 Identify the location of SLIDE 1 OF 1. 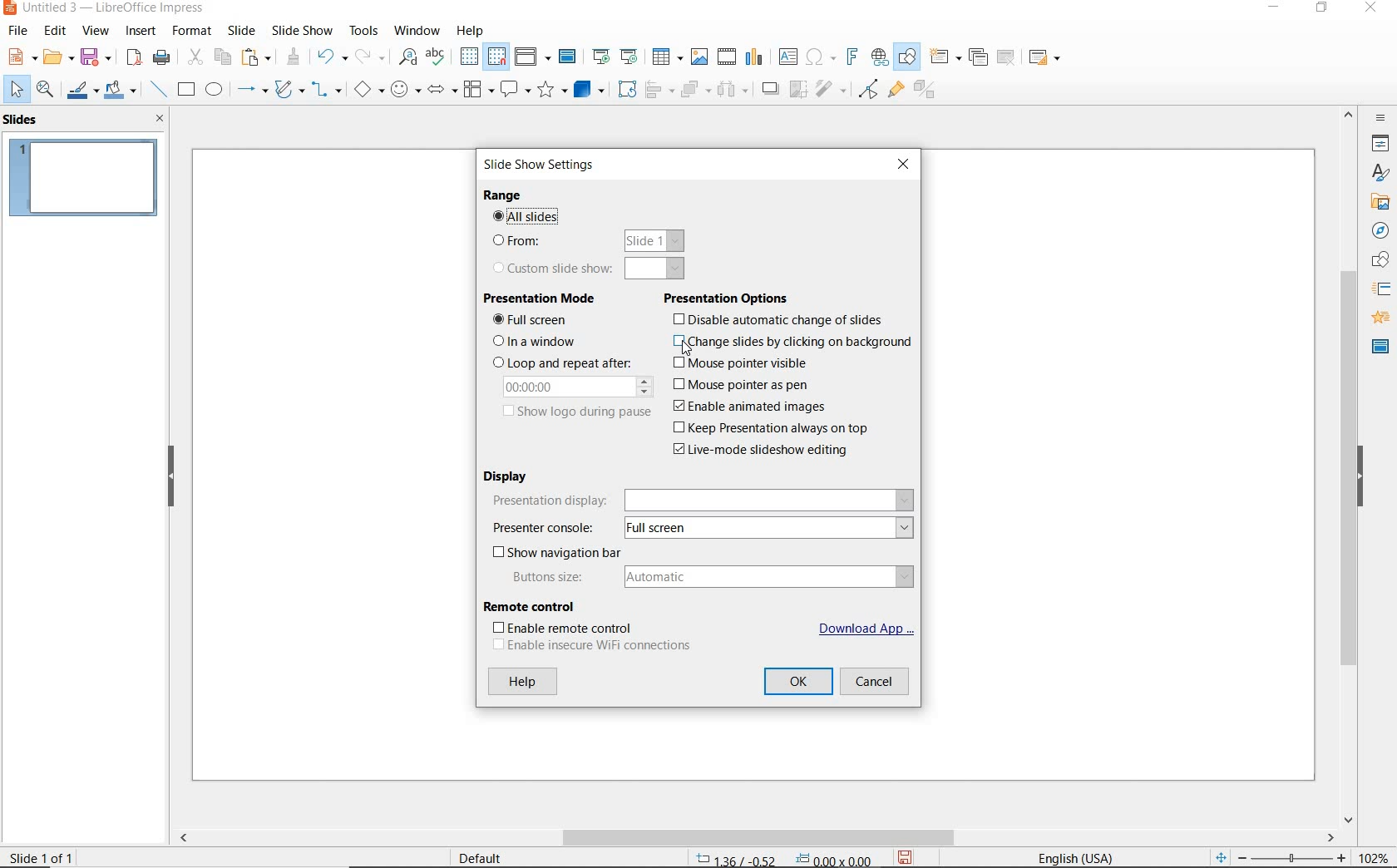
(40, 857).